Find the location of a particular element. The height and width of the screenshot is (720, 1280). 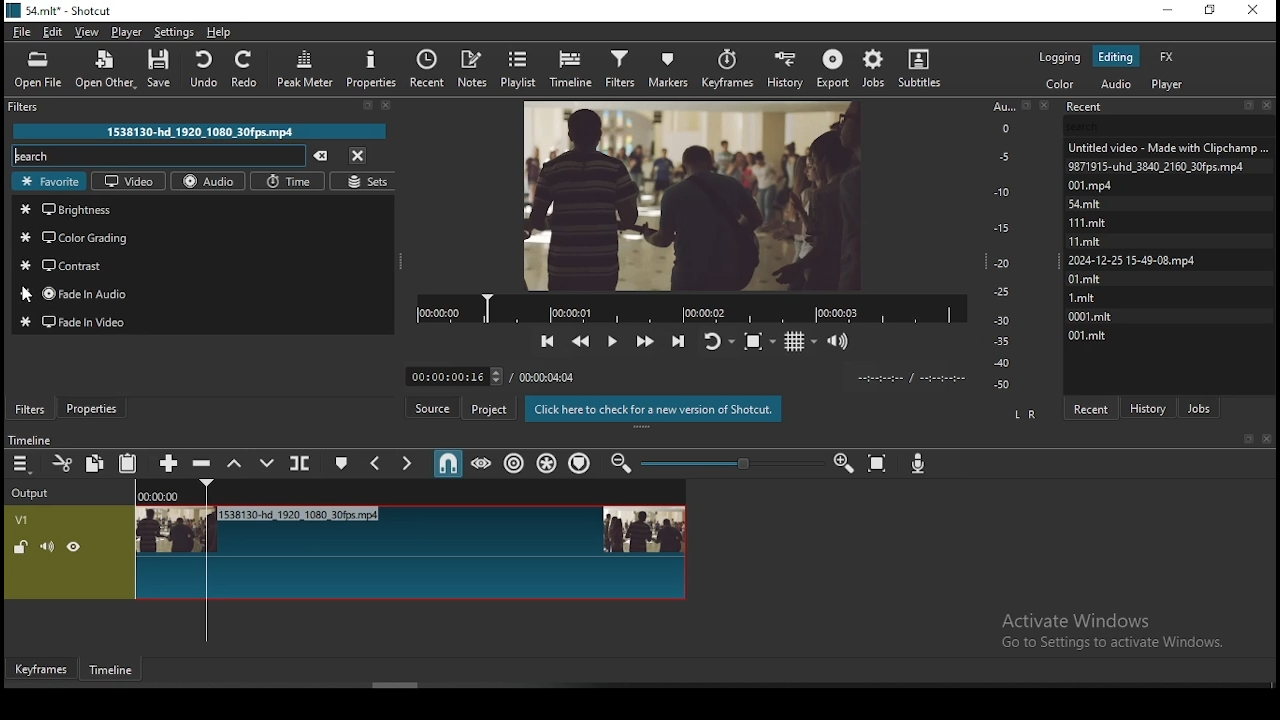

time format is located at coordinates (915, 379).